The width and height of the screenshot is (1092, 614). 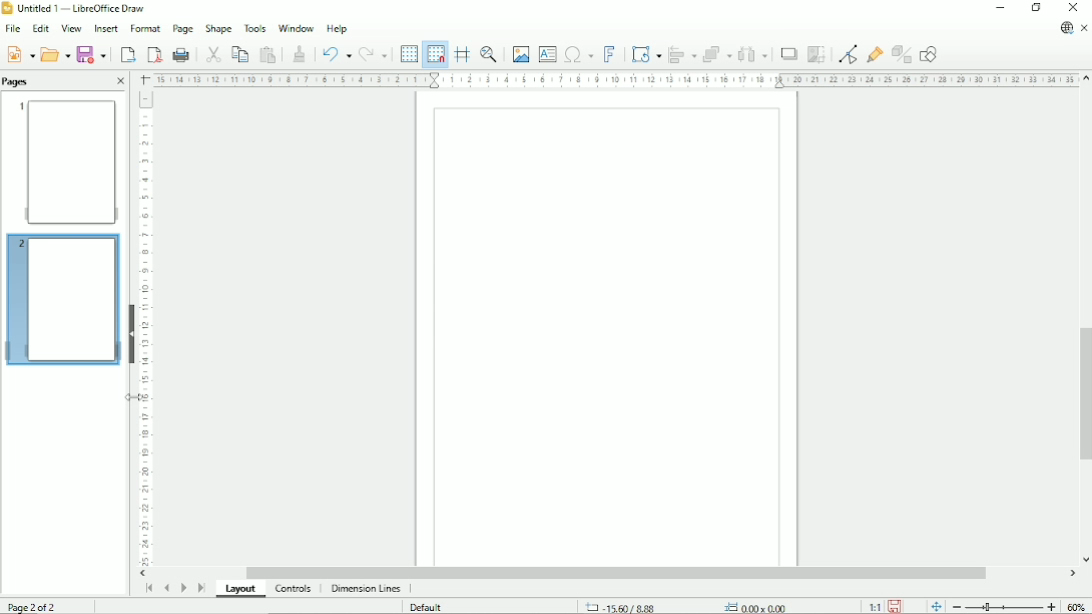 I want to click on Horizontal scrollbar, so click(x=615, y=573).